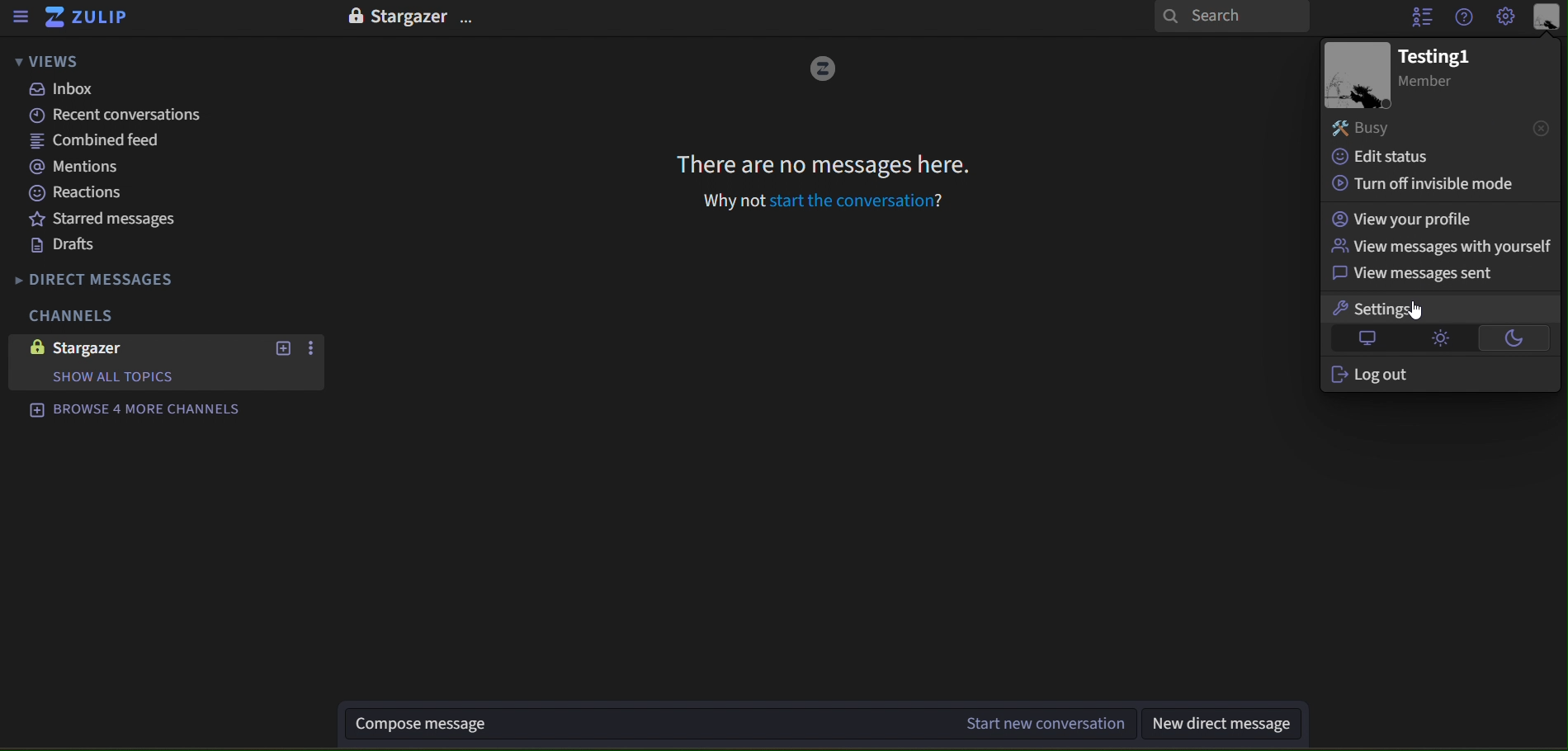 The height and width of the screenshot is (751, 1568). What do you see at coordinates (86, 347) in the screenshot?
I see `stargazer` at bounding box center [86, 347].